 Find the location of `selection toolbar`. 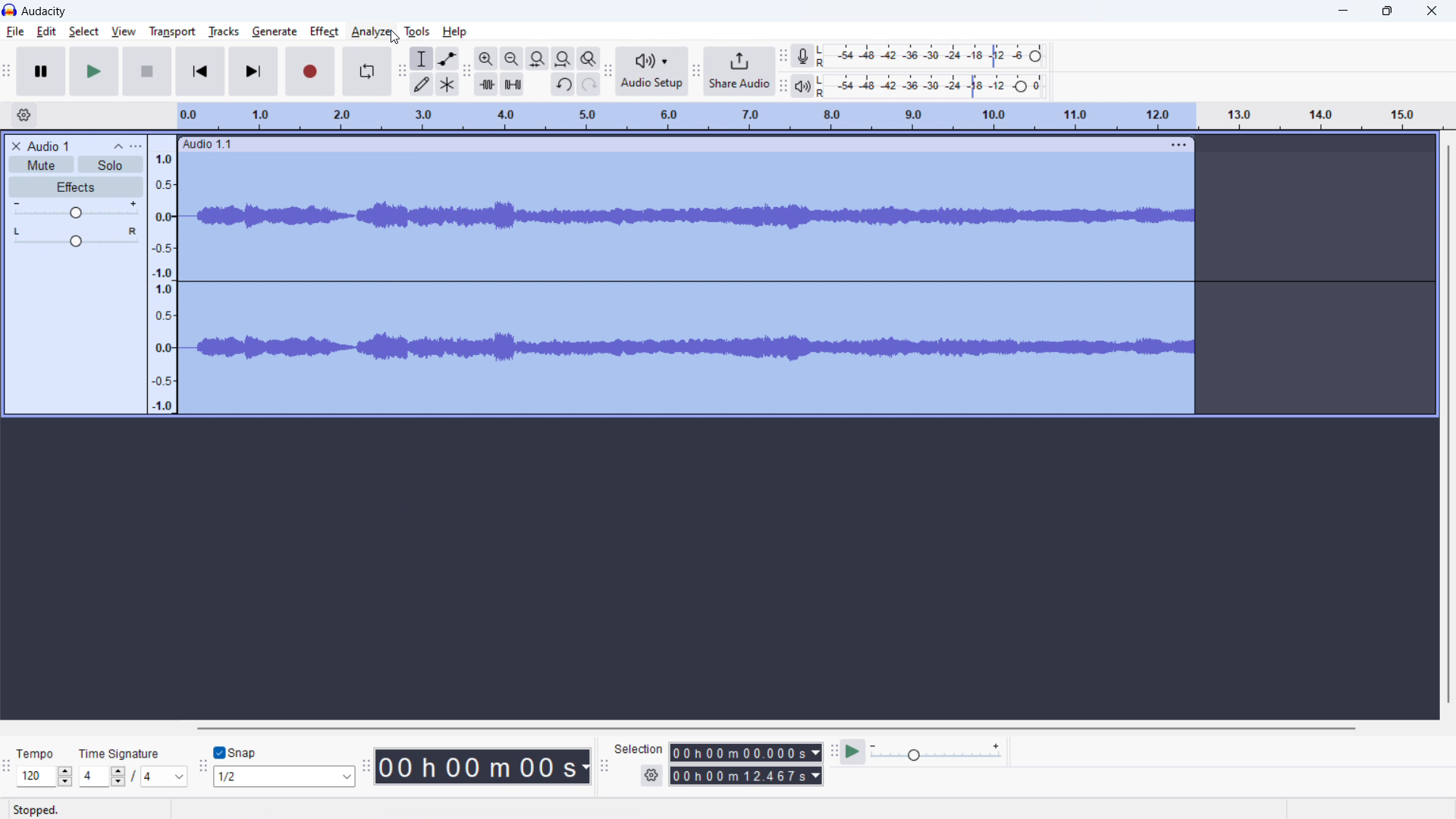

selection toolbar is located at coordinates (604, 765).